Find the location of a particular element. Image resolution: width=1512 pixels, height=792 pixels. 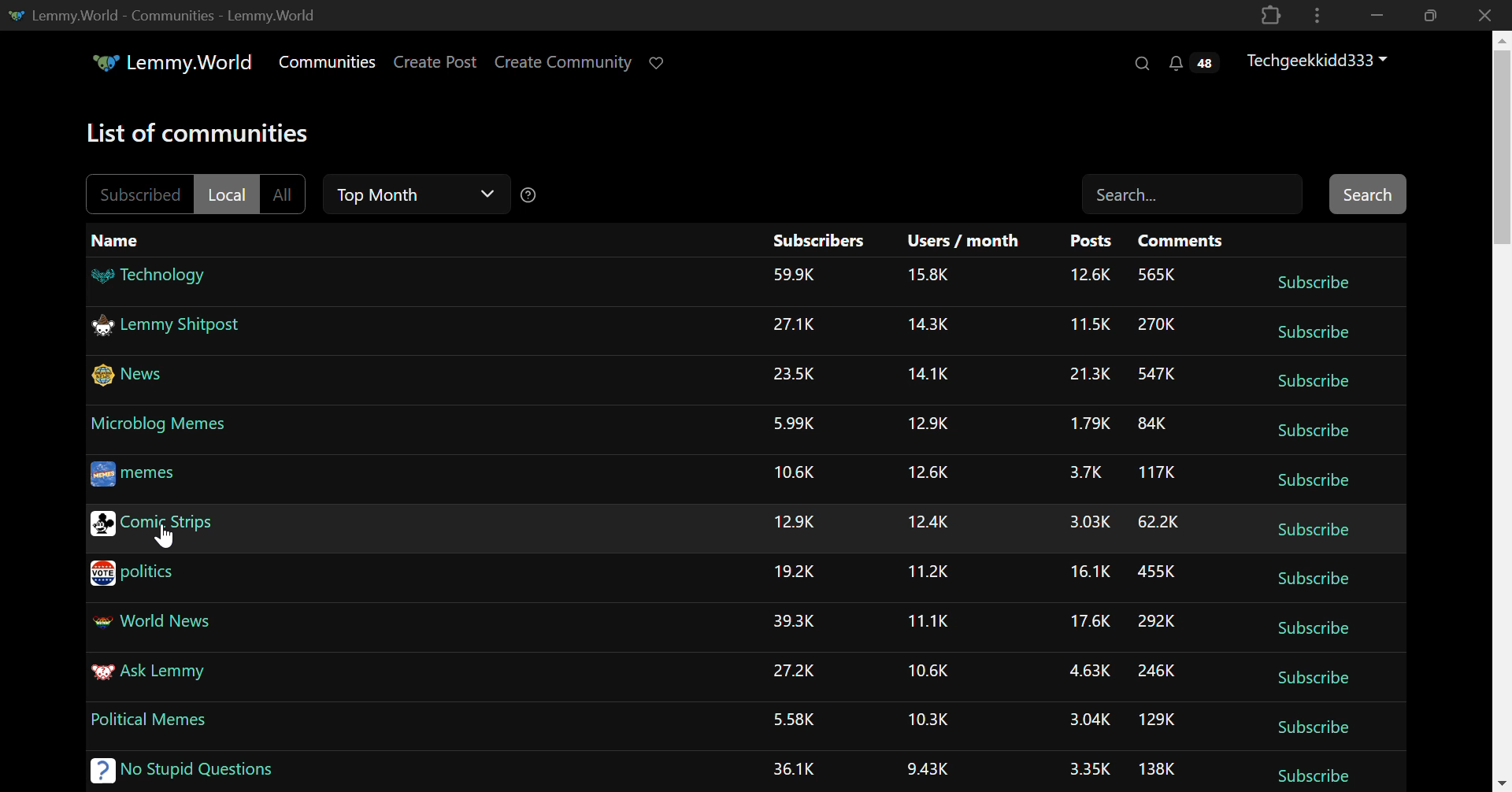

19.2K is located at coordinates (795, 572).